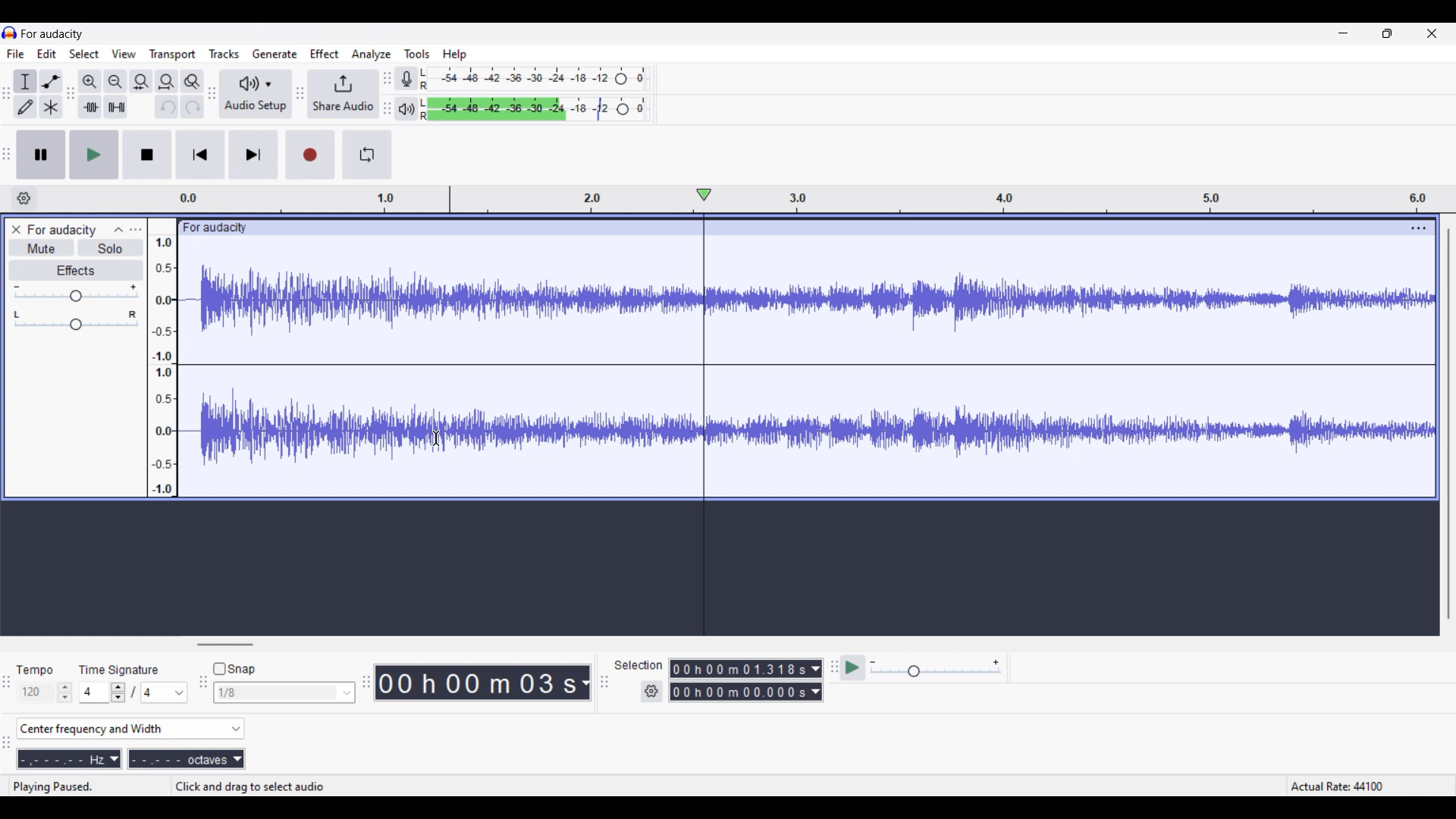 The image size is (1456, 819). I want to click on Edit menu, so click(47, 53).